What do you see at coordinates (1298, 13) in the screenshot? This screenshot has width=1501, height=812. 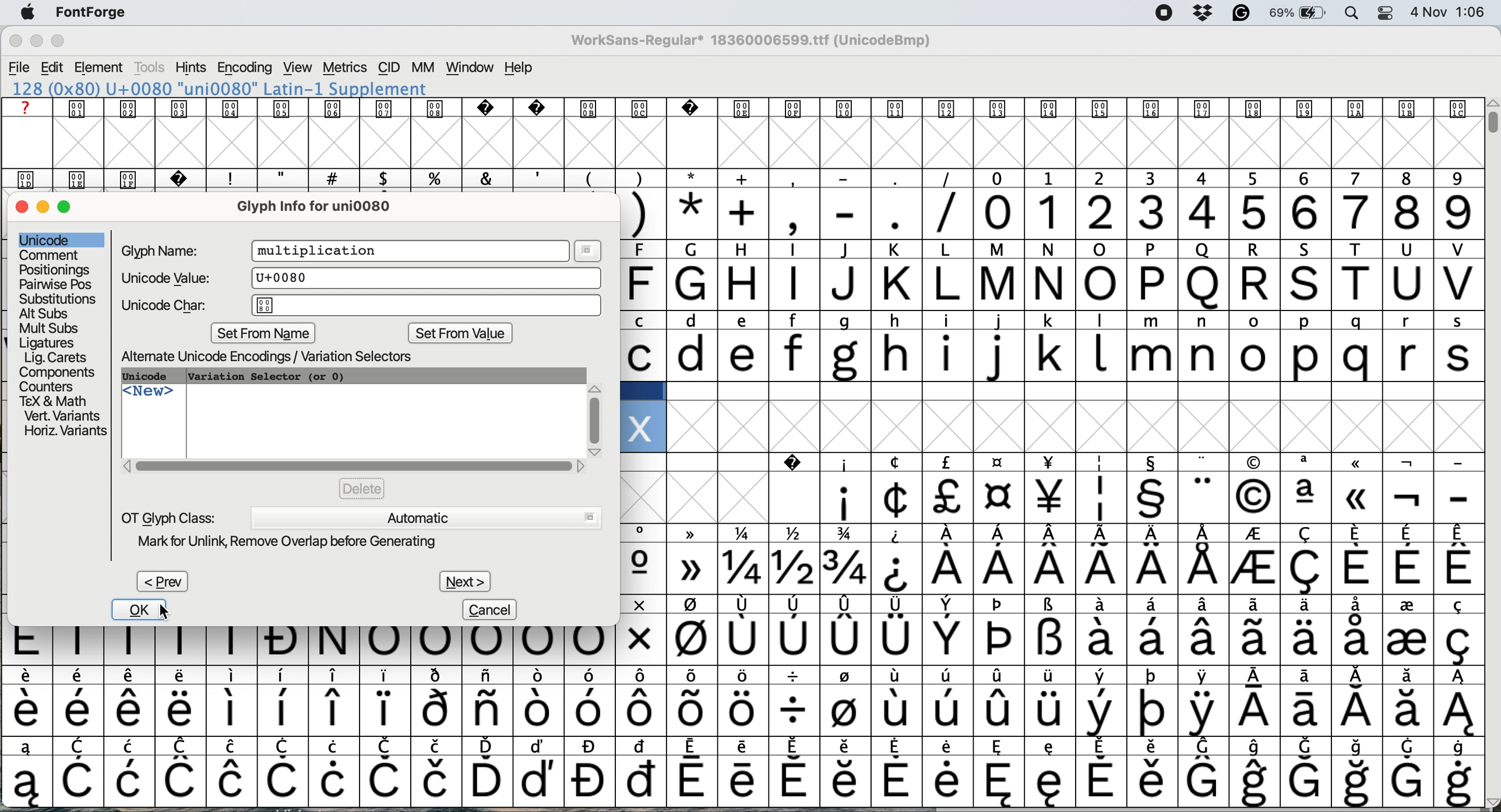 I see `battery` at bounding box center [1298, 13].